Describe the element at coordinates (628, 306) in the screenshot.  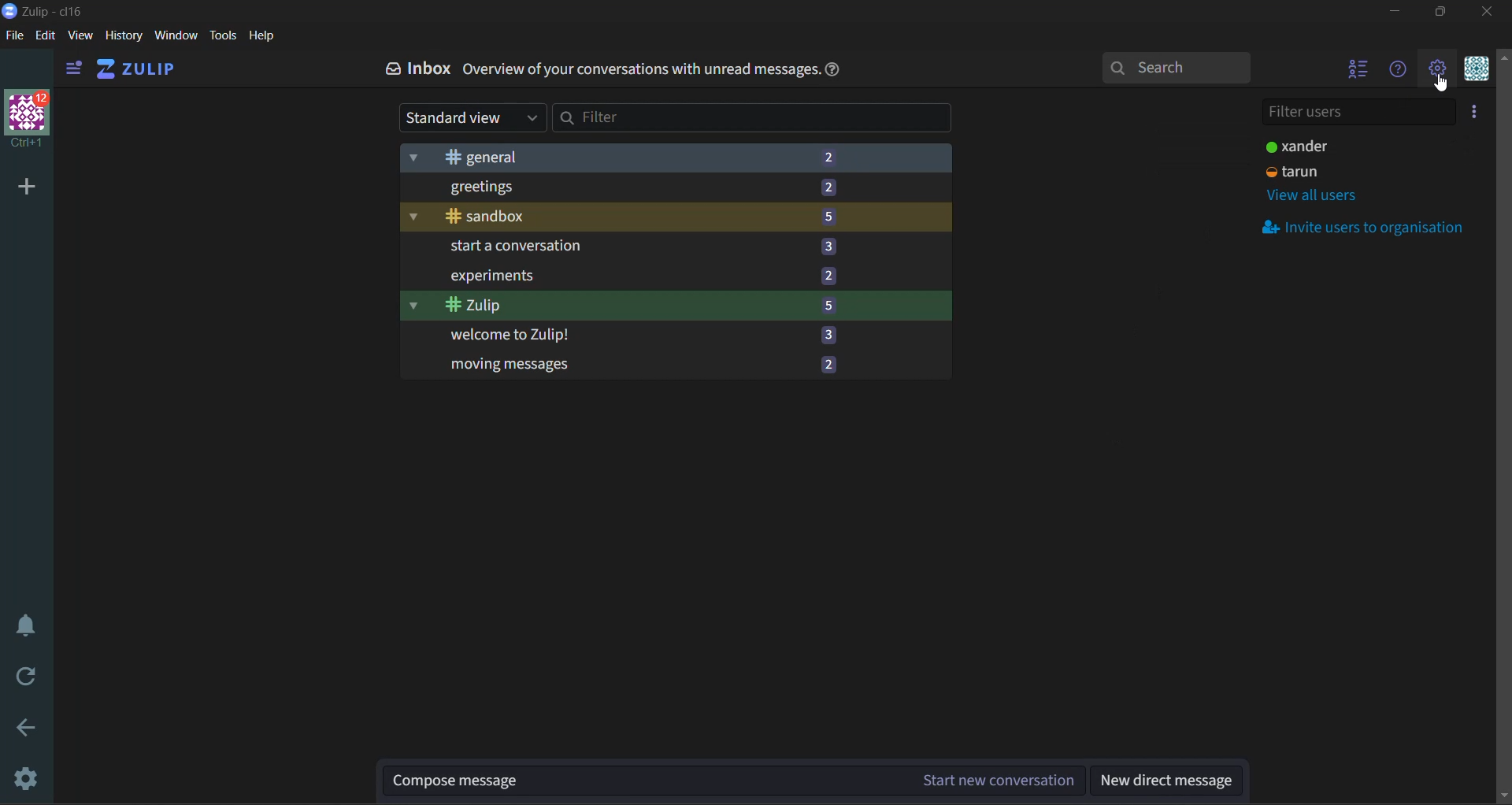
I see `zulip` at that location.